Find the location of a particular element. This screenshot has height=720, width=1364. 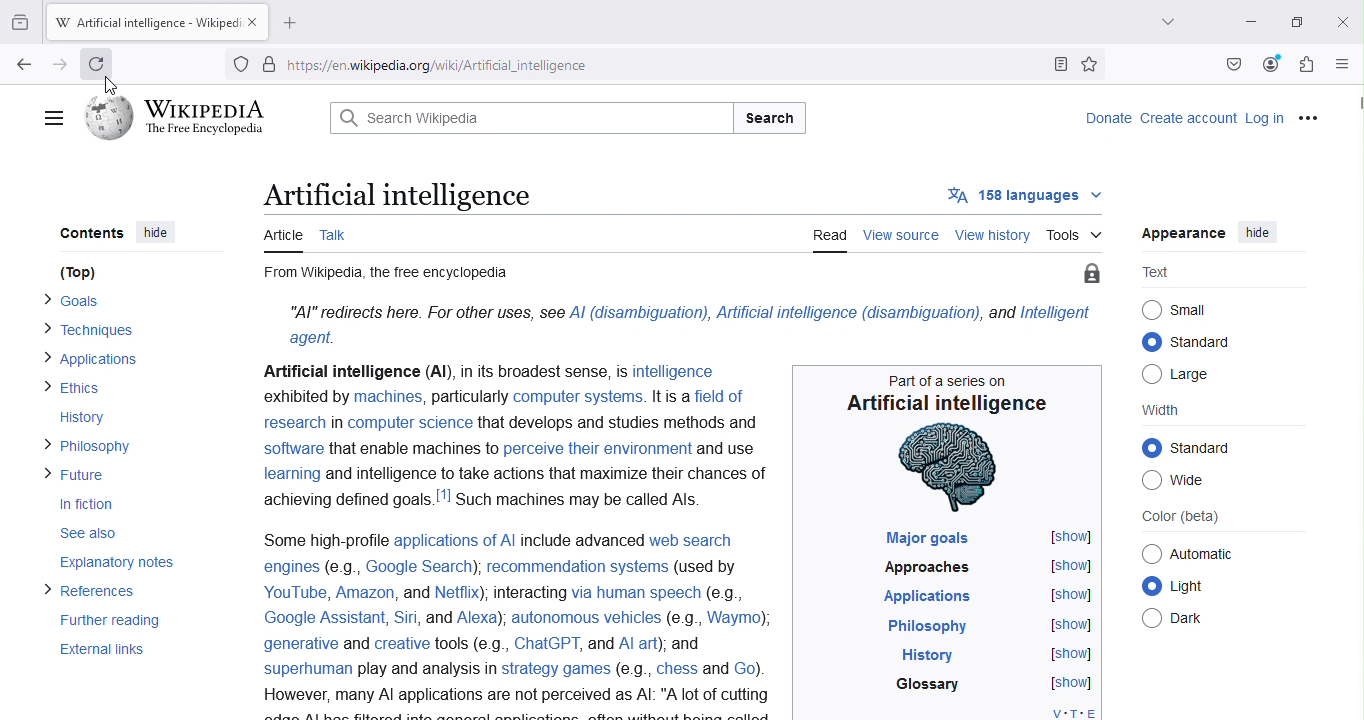

Wide is located at coordinates (1183, 481).